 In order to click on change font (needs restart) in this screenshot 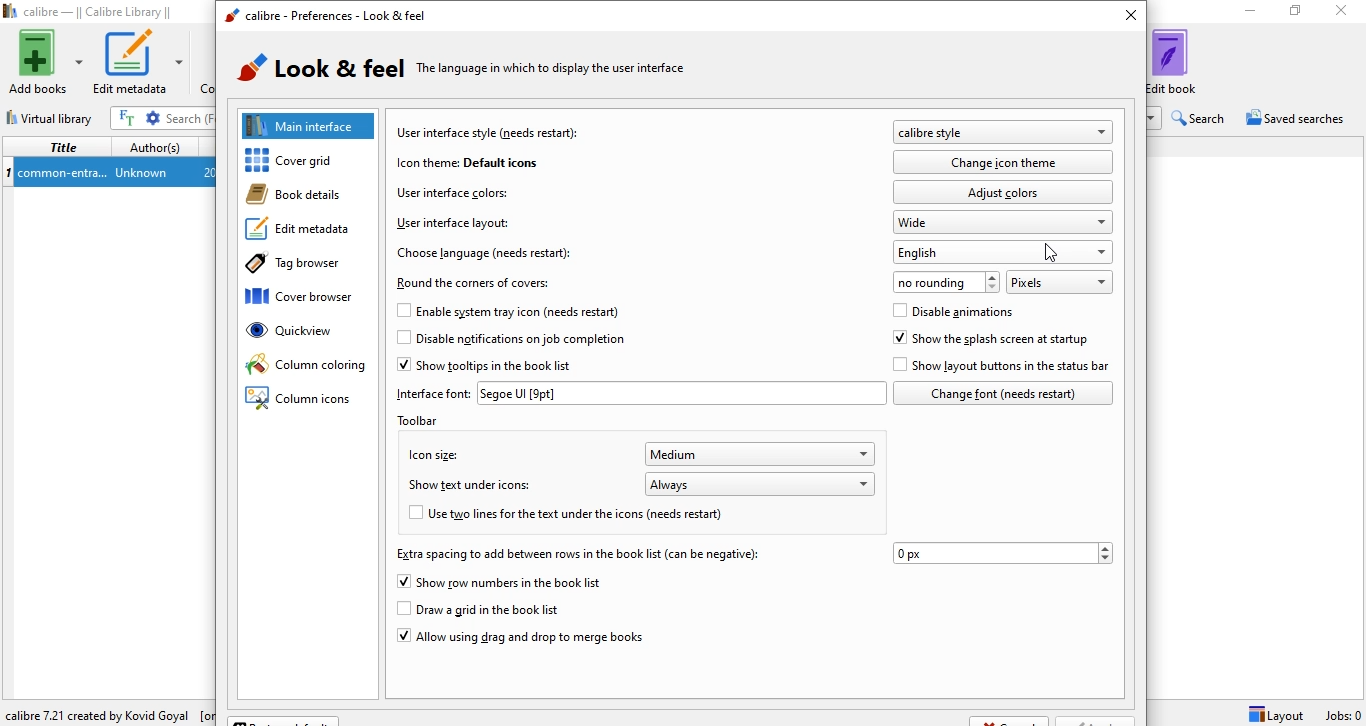, I will do `click(1003, 393)`.